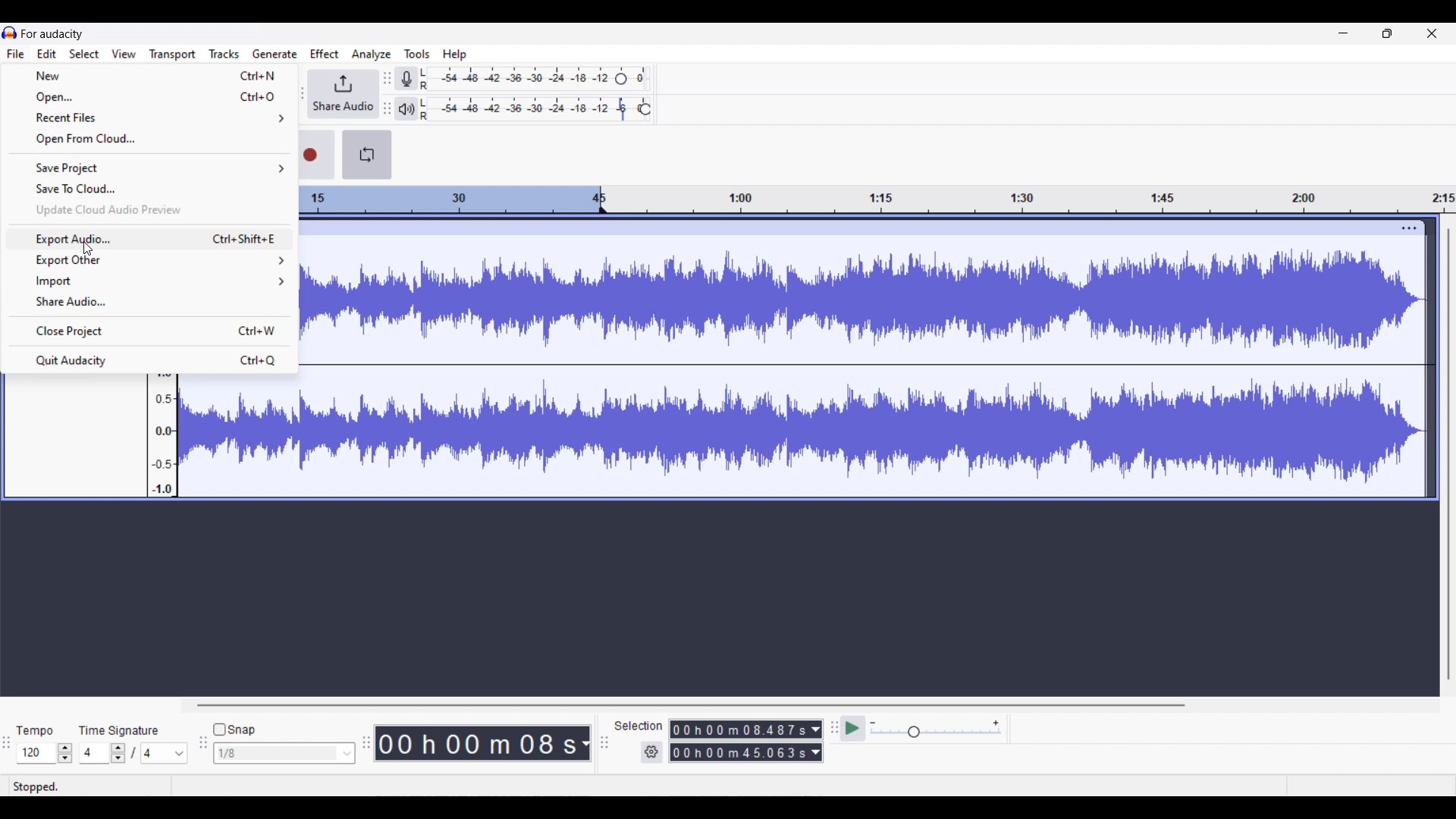 The height and width of the screenshot is (819, 1456). Describe the element at coordinates (150, 98) in the screenshot. I see `Open` at that location.